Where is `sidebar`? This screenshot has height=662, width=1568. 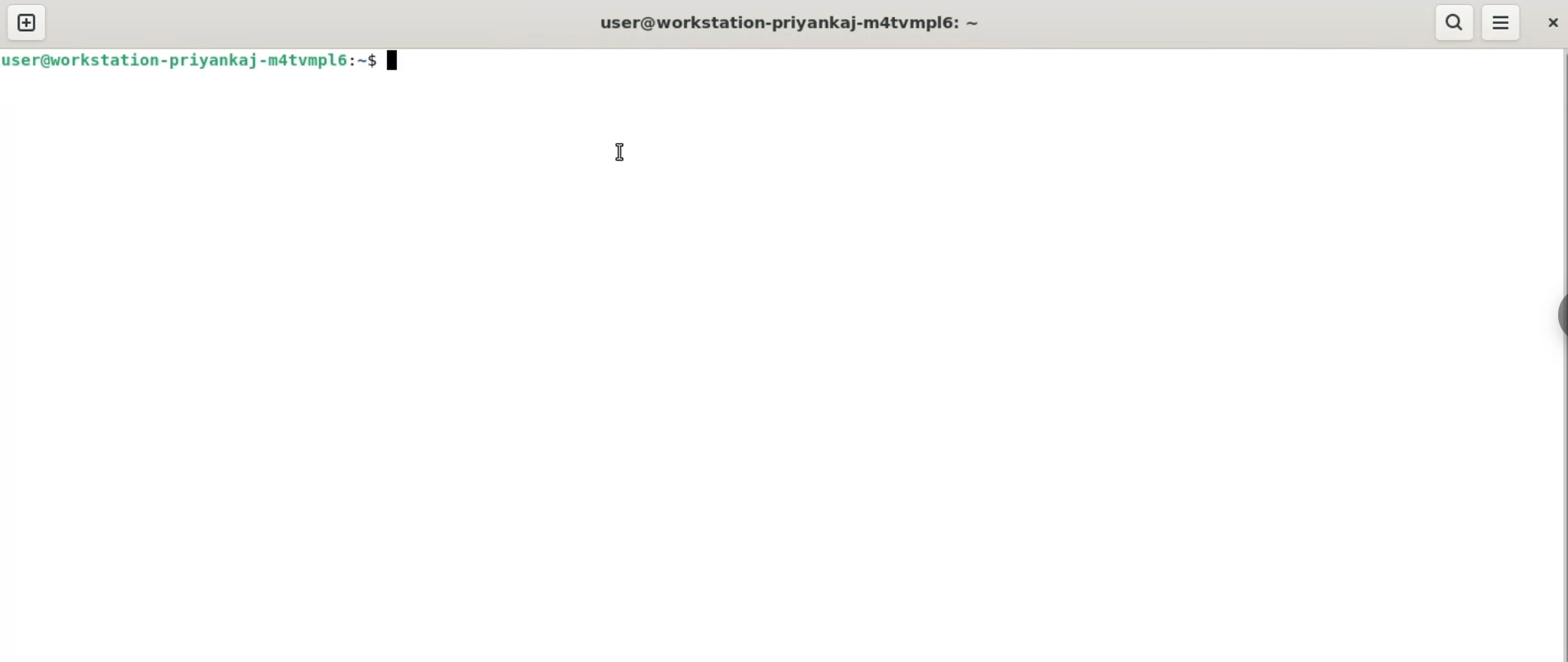 sidebar is located at coordinates (1558, 314).